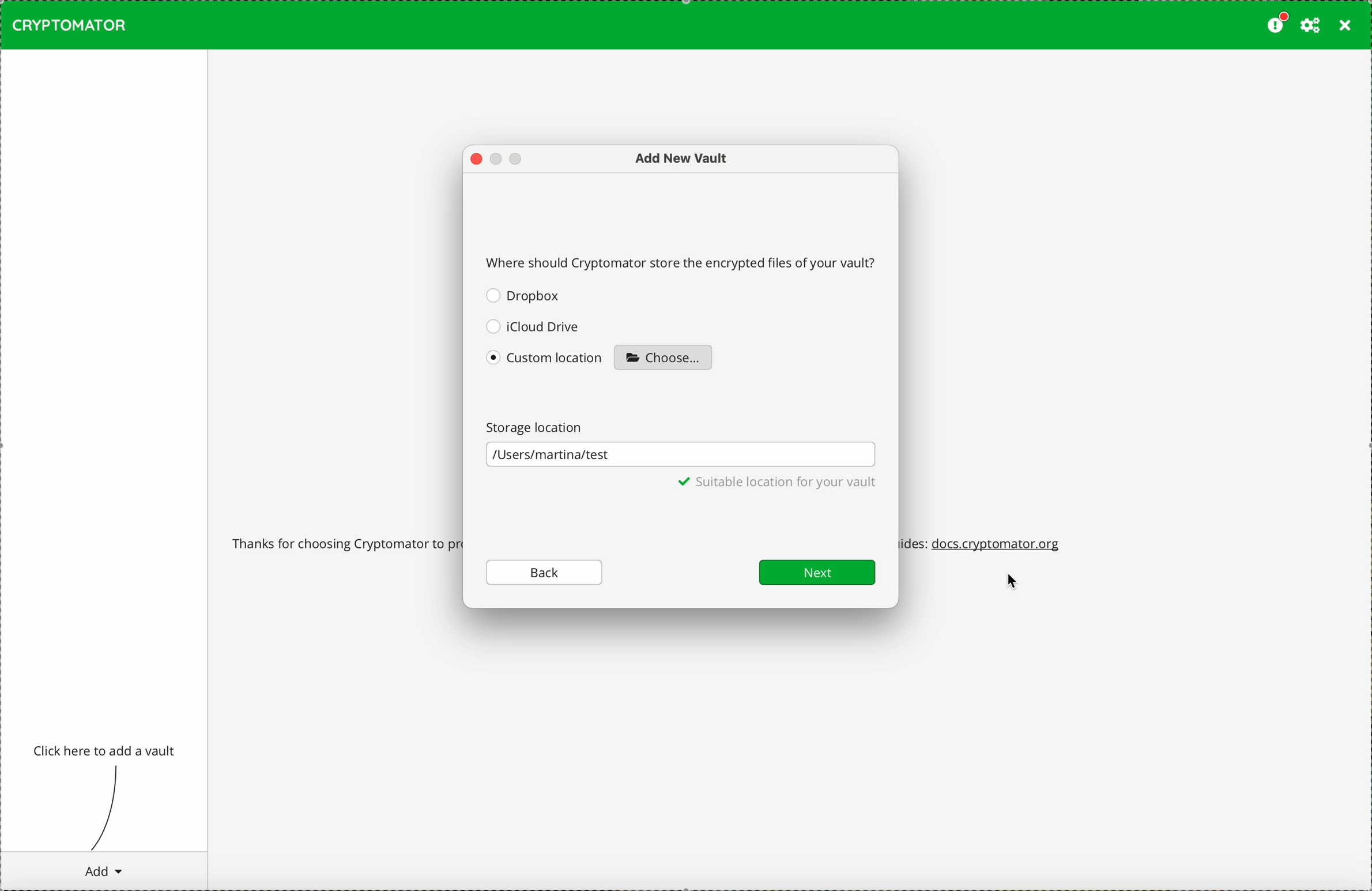 The image size is (1372, 891). Describe the element at coordinates (106, 751) in the screenshot. I see `click to add a vault` at that location.